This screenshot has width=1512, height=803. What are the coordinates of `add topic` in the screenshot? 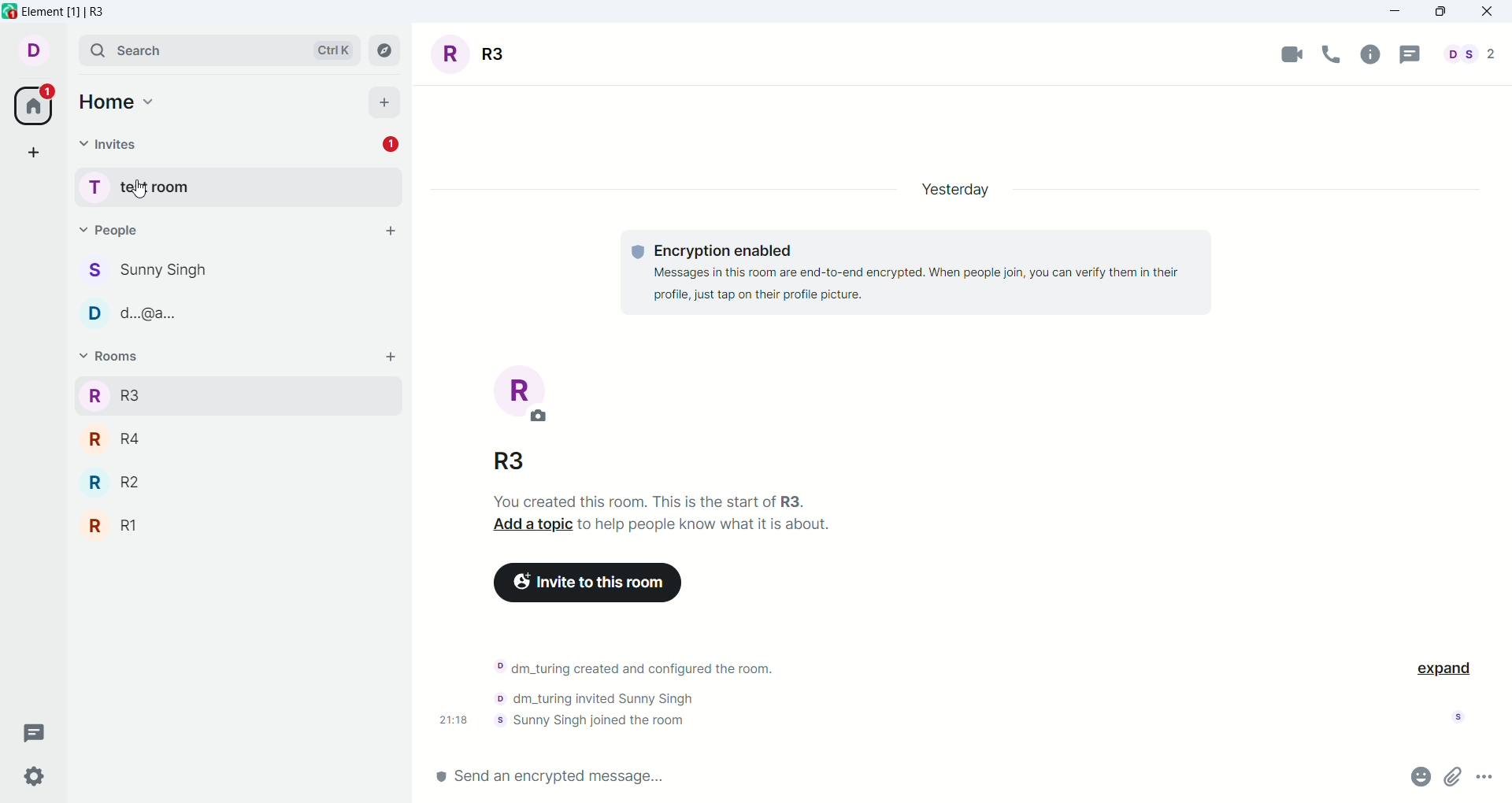 It's located at (528, 524).